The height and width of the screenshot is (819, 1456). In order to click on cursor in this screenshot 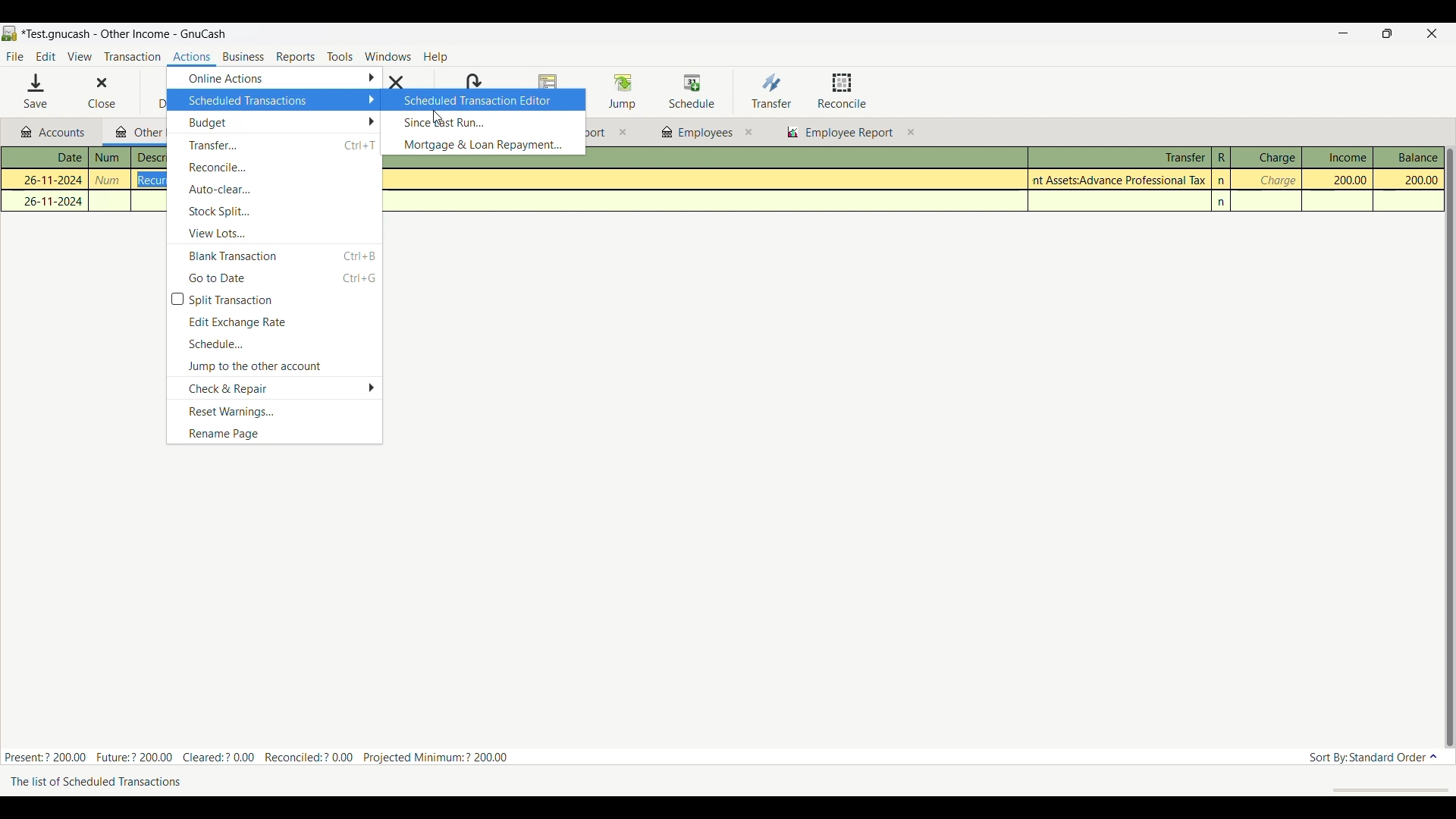, I will do `click(438, 115)`.